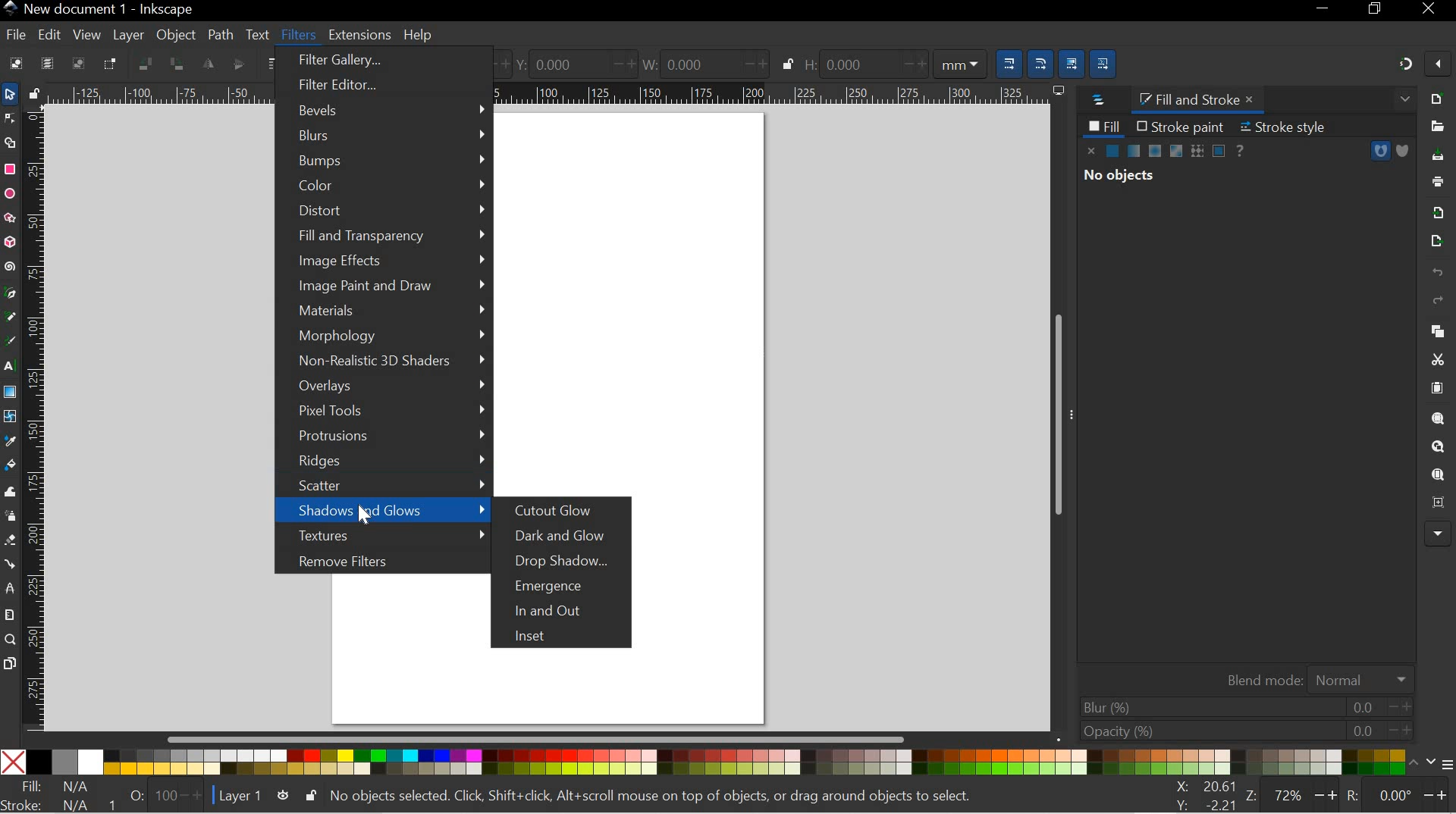  Describe the element at coordinates (561, 512) in the screenshot. I see `CUTOUT GLOW` at that location.